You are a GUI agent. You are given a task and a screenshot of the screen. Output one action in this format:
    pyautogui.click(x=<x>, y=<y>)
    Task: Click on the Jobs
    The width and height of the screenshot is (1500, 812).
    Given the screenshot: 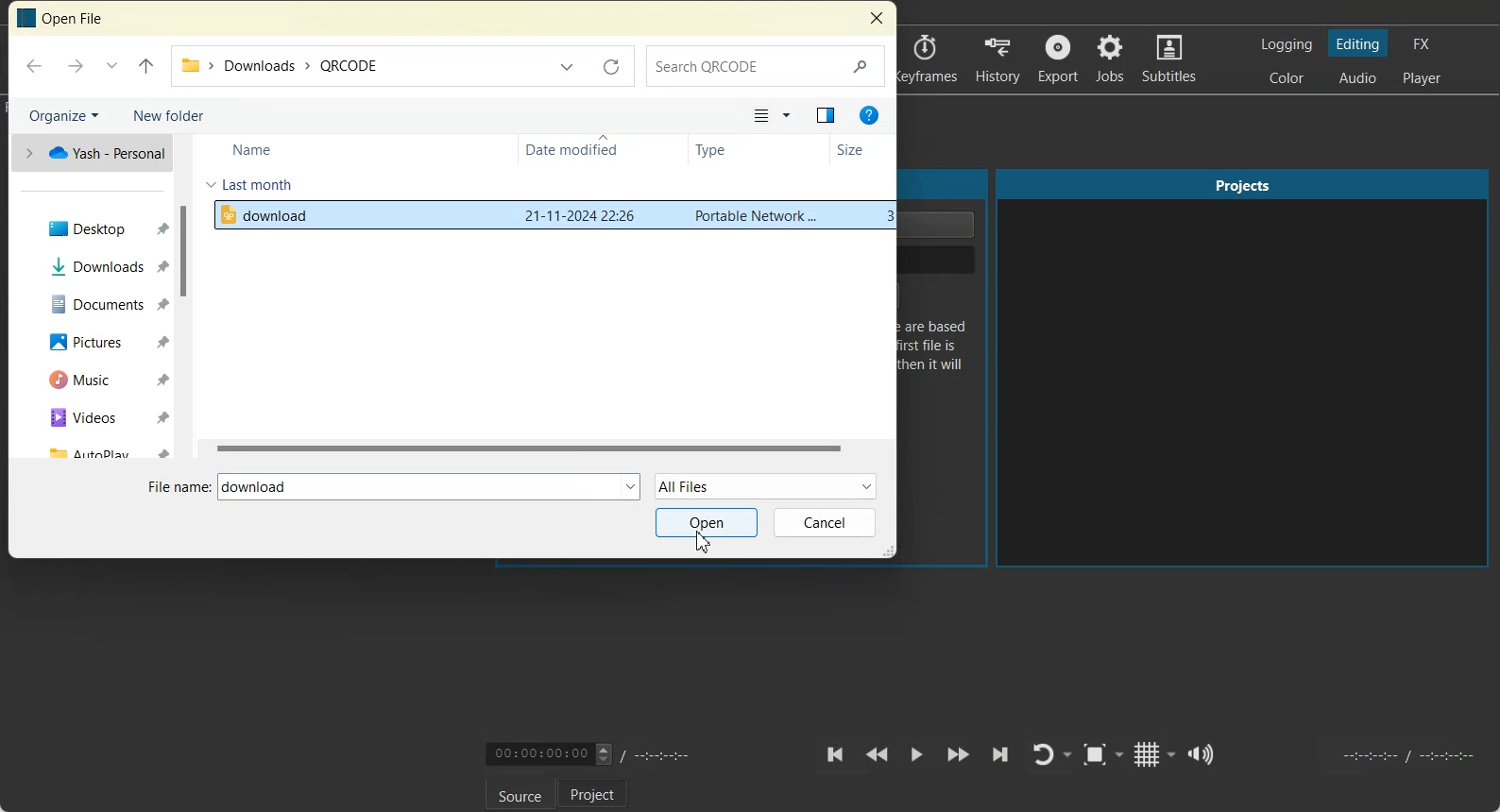 What is the action you would take?
    pyautogui.click(x=1112, y=59)
    